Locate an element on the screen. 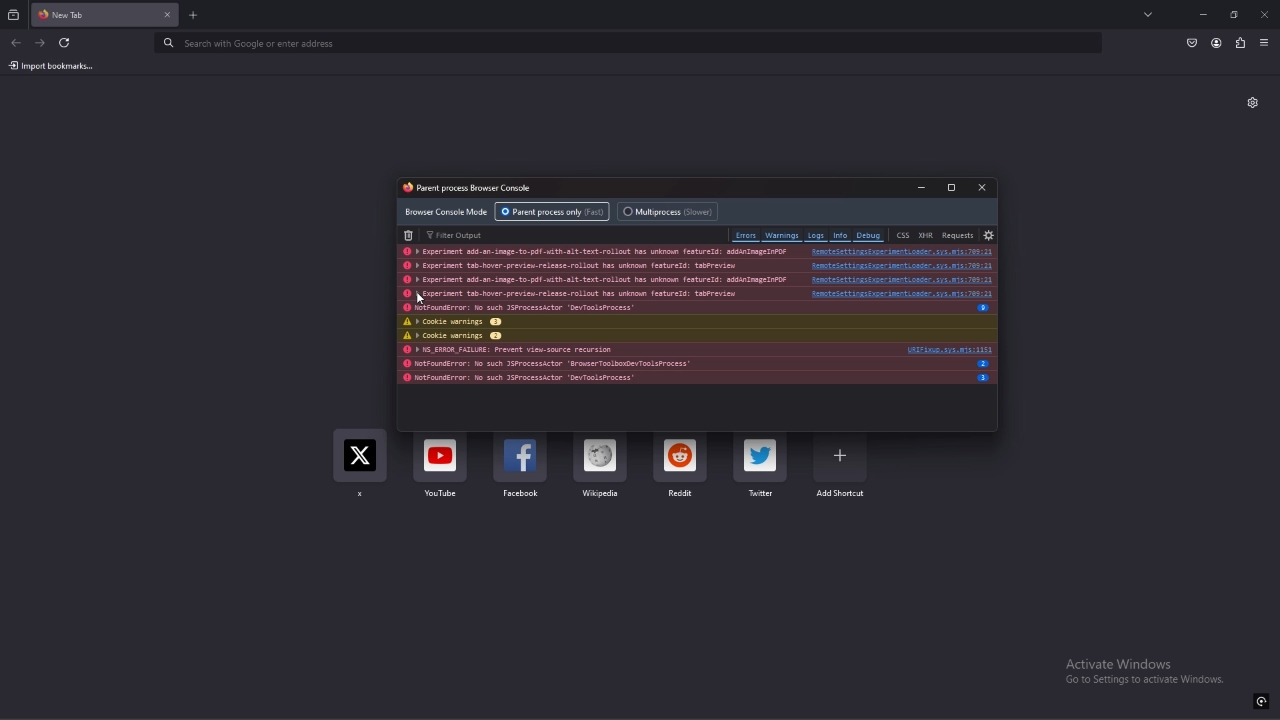 The height and width of the screenshot is (720, 1280). search bar is located at coordinates (628, 45).